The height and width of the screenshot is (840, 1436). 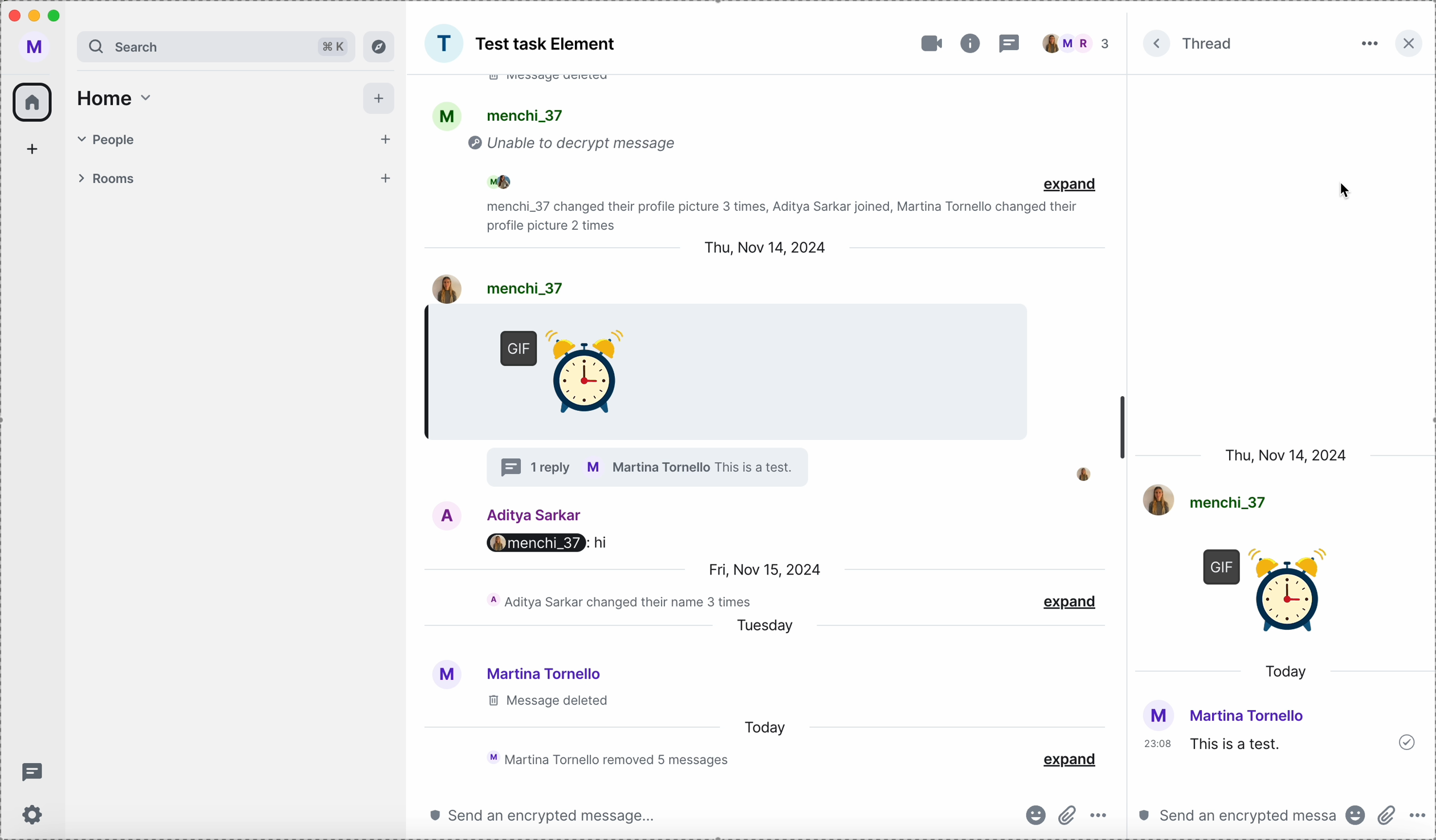 I want to click on maximize program, so click(x=59, y=14).